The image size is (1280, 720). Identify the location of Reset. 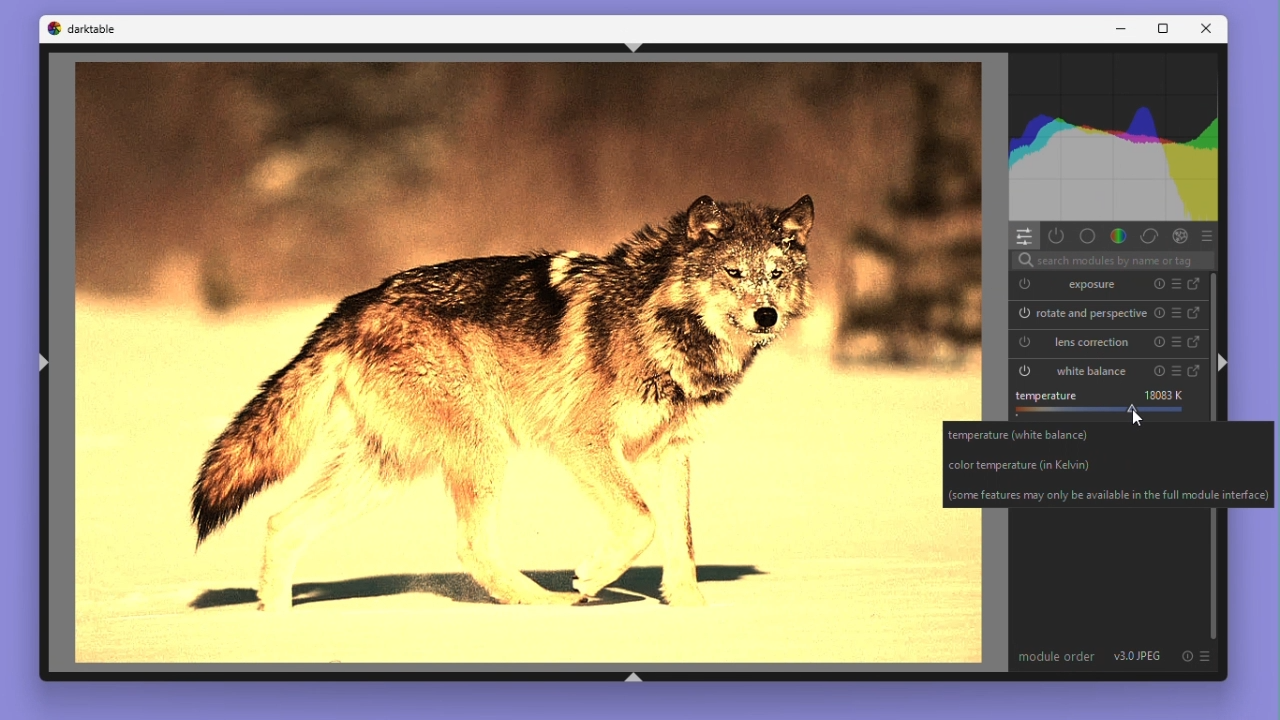
(1162, 315).